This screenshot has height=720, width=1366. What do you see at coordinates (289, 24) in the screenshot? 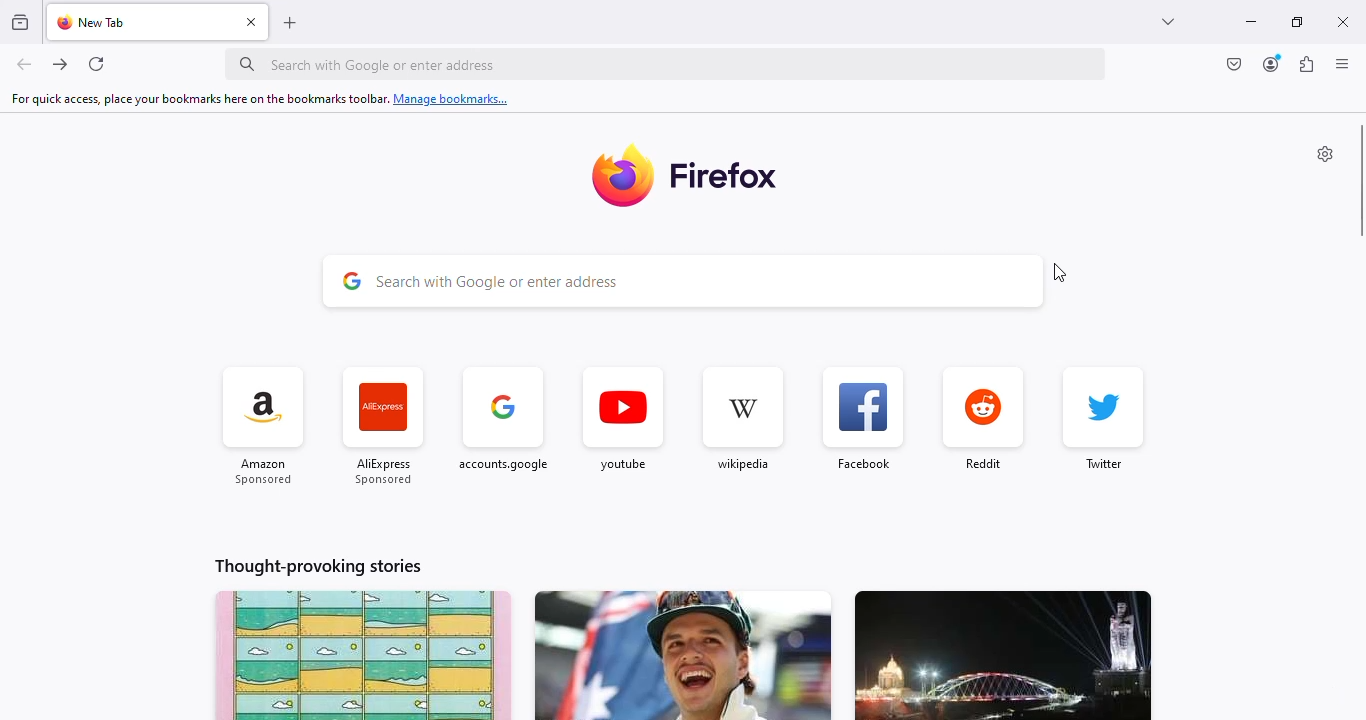
I see `open a new tab` at bounding box center [289, 24].